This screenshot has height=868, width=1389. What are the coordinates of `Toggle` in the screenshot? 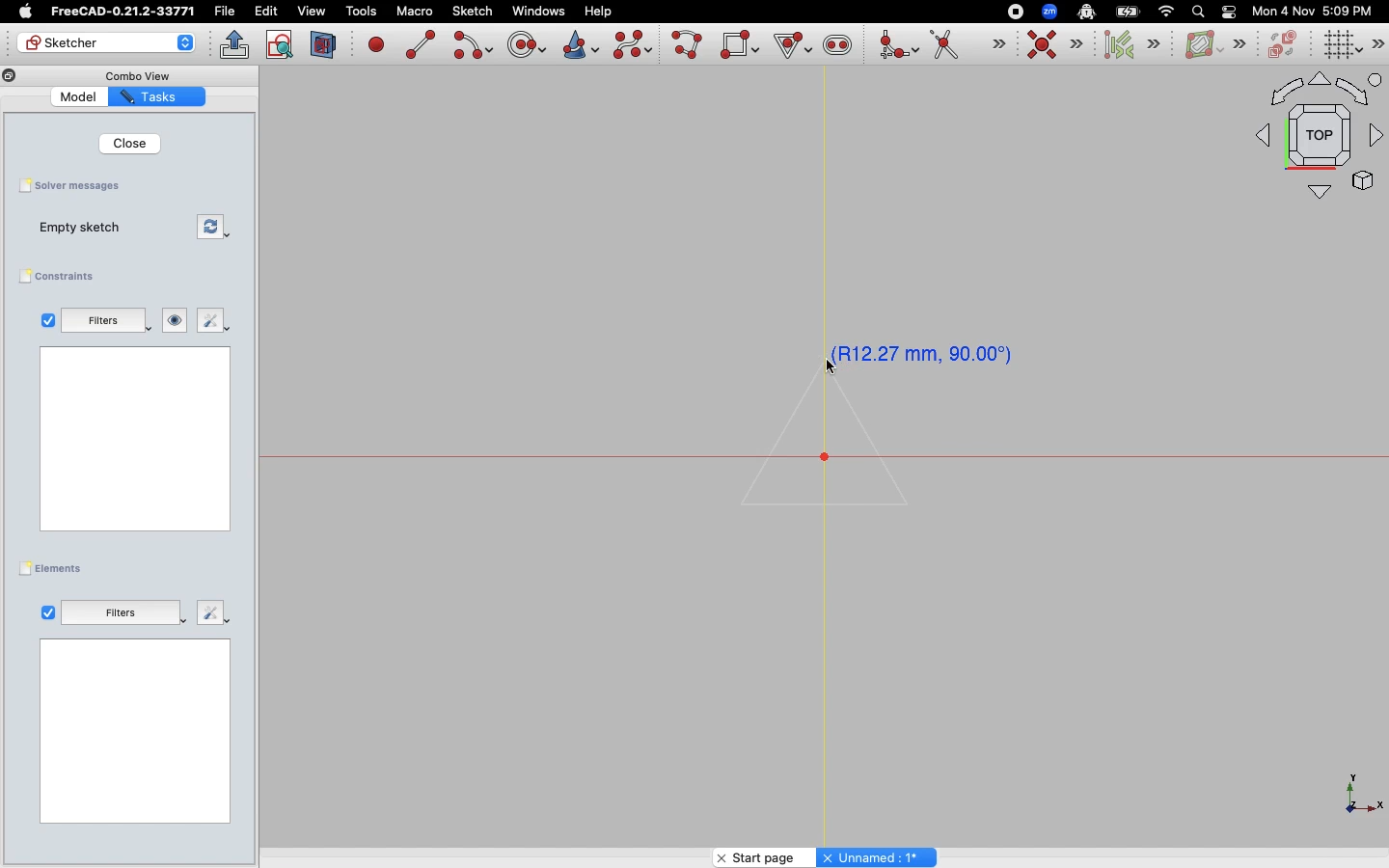 It's located at (1229, 12).